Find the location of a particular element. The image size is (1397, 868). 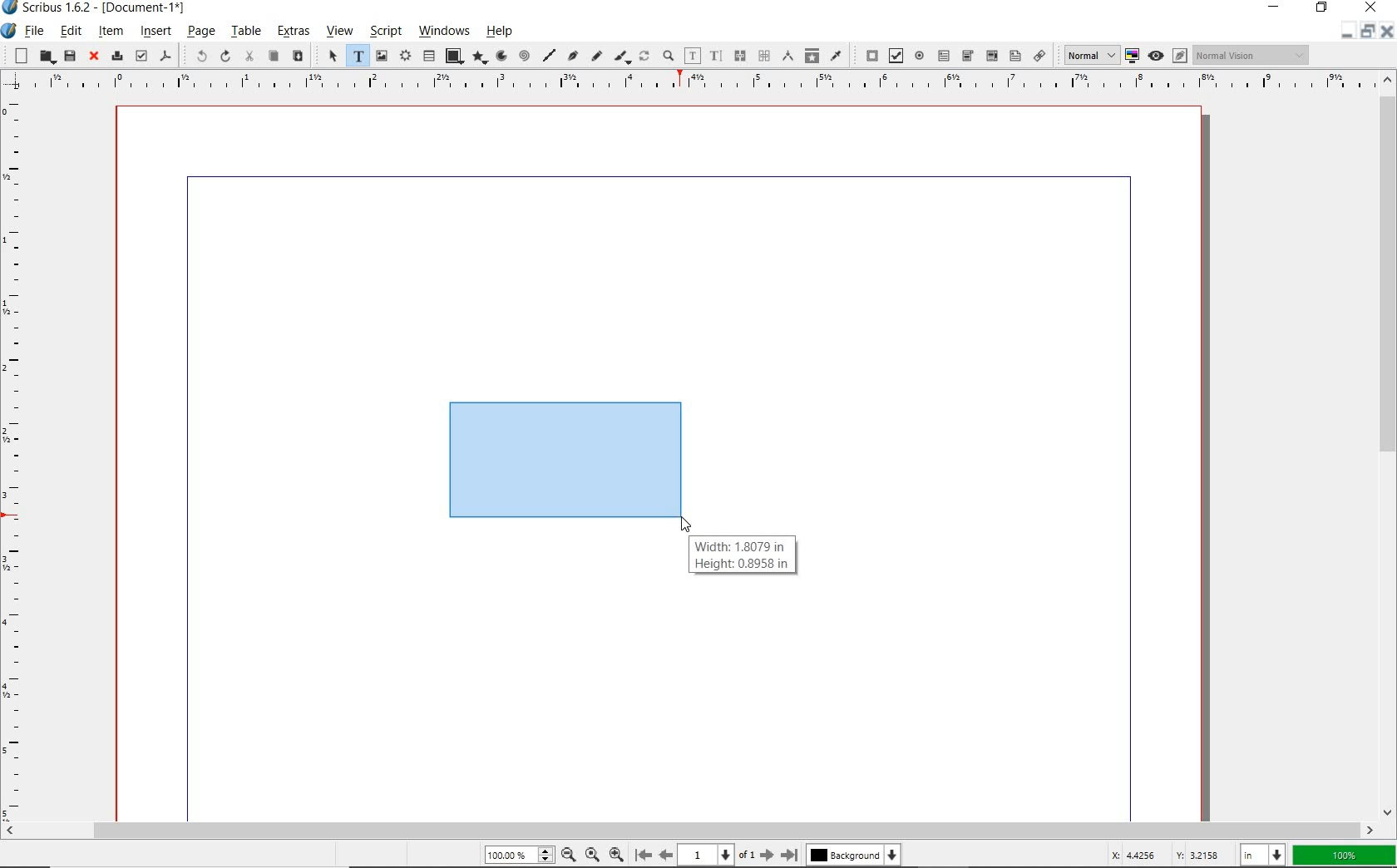

print is located at coordinates (116, 57).